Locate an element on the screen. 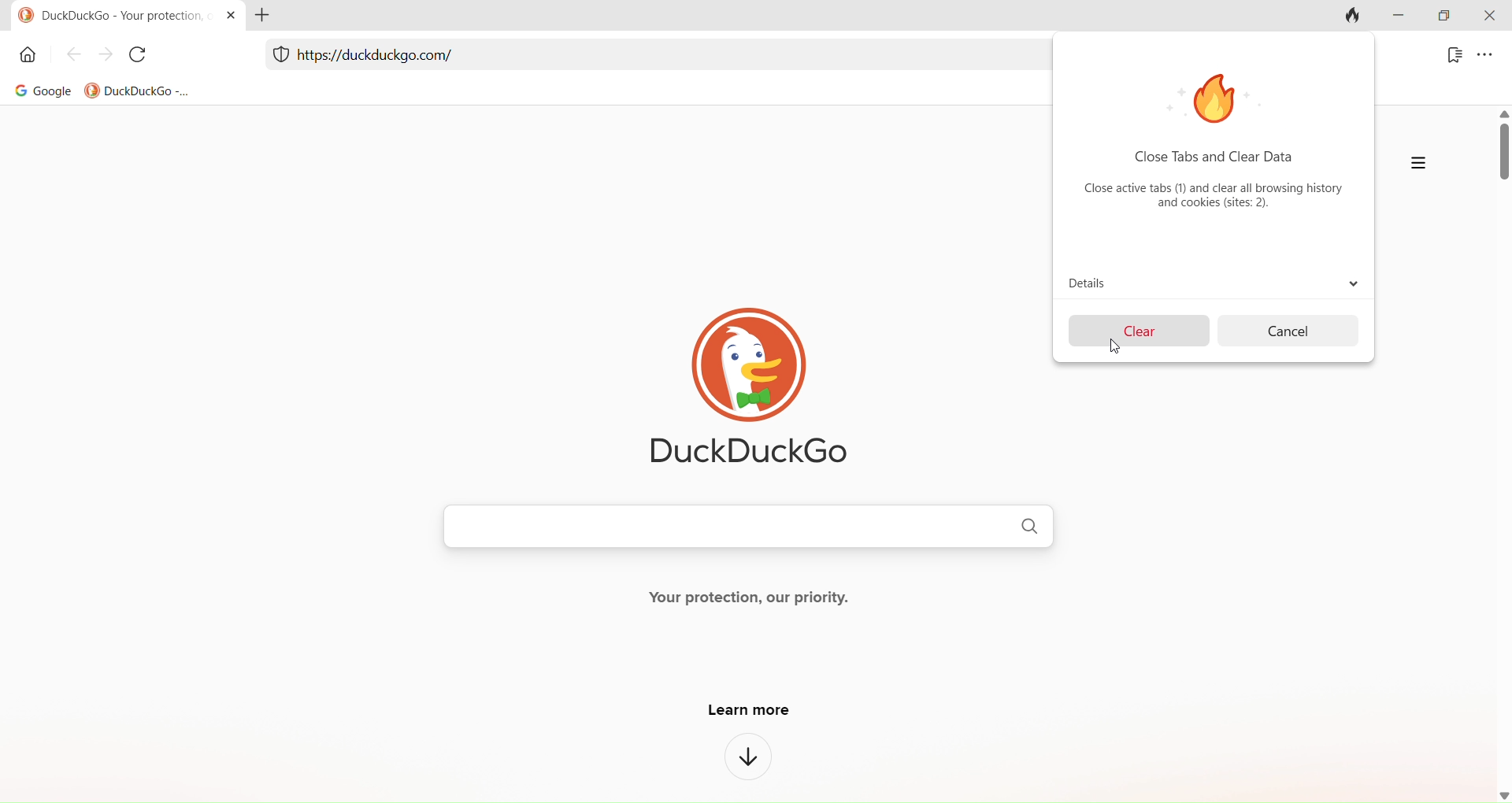  Google is located at coordinates (37, 94).